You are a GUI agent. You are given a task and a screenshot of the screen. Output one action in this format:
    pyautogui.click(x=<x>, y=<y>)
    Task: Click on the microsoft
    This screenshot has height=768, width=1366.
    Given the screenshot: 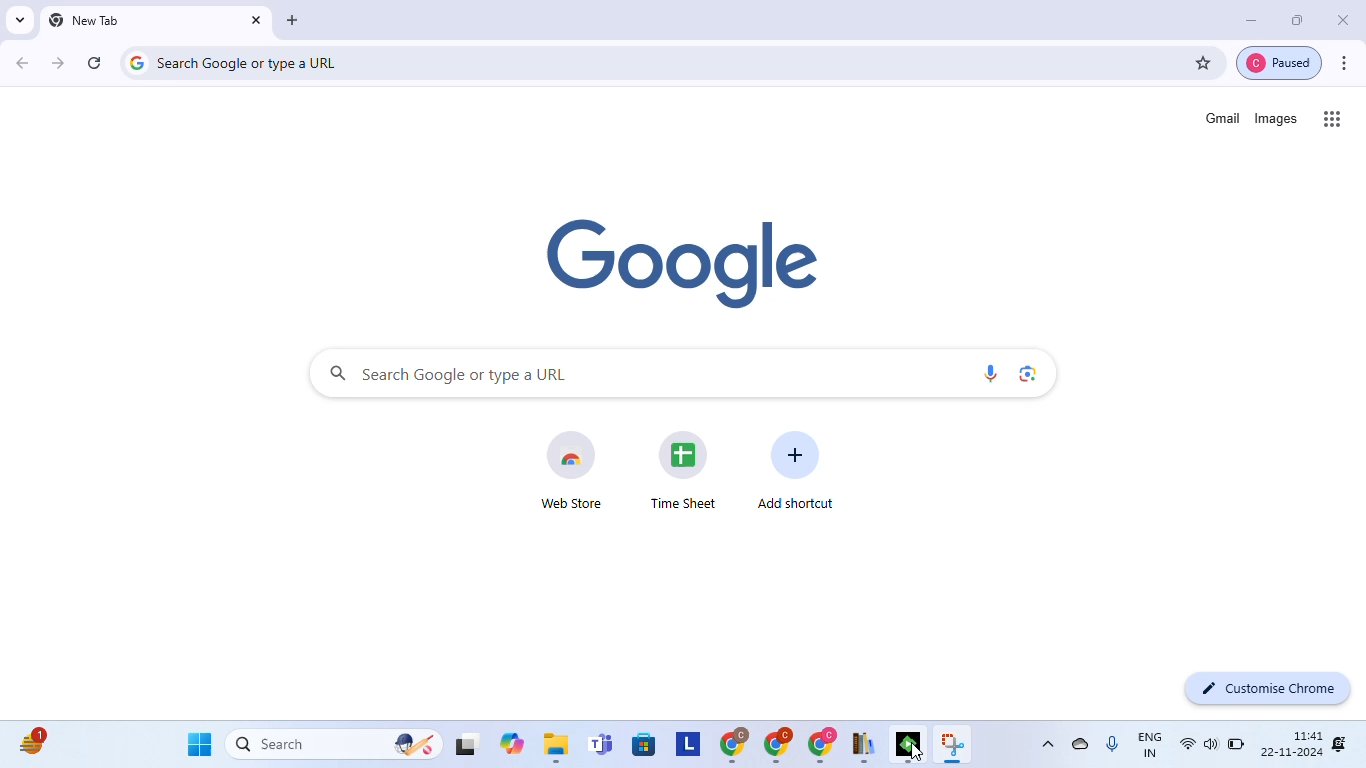 What is the action you would take?
    pyautogui.click(x=646, y=746)
    